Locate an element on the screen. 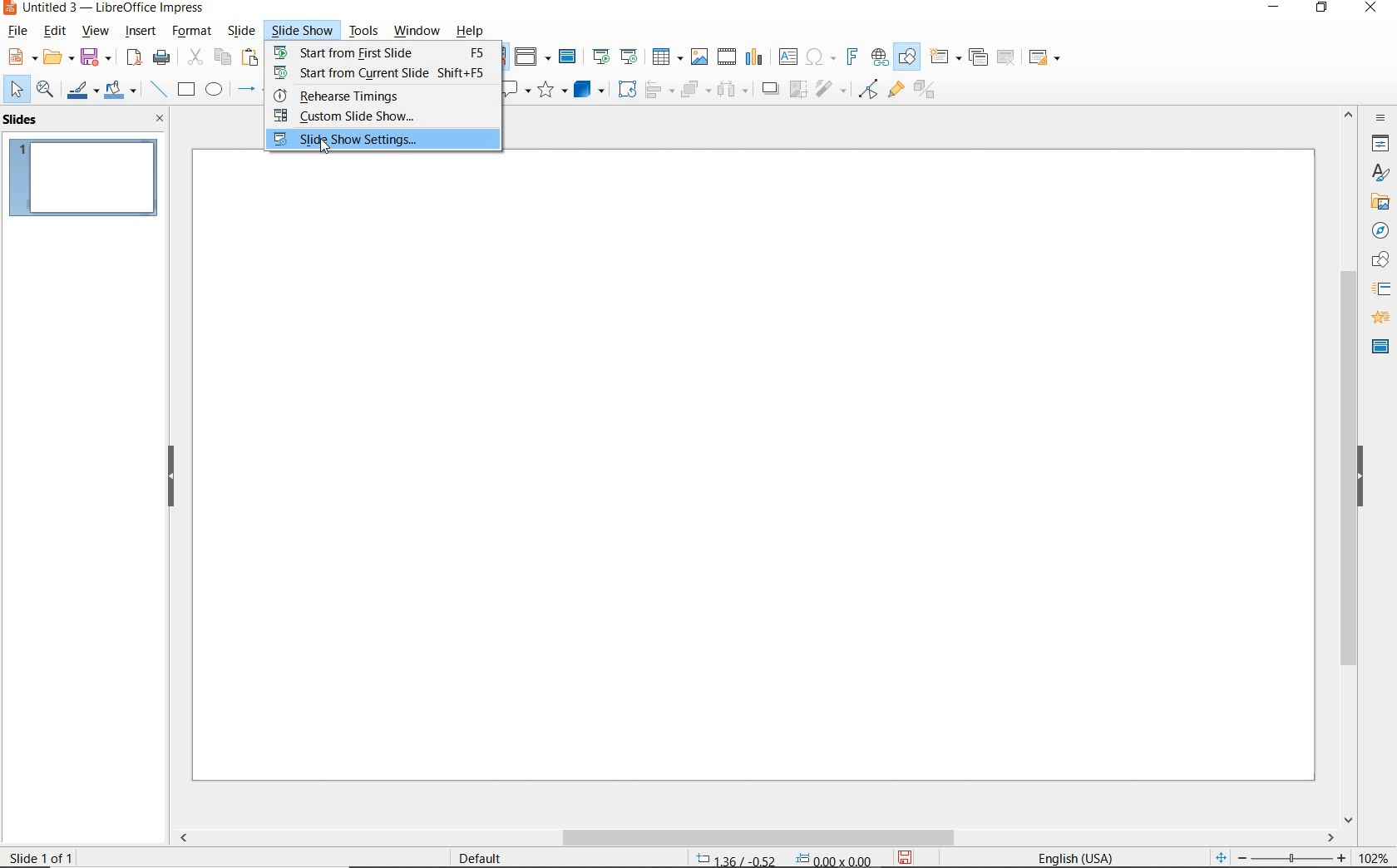 Image resolution: width=1397 pixels, height=868 pixels. POSITION AND SIZE is located at coordinates (781, 857).